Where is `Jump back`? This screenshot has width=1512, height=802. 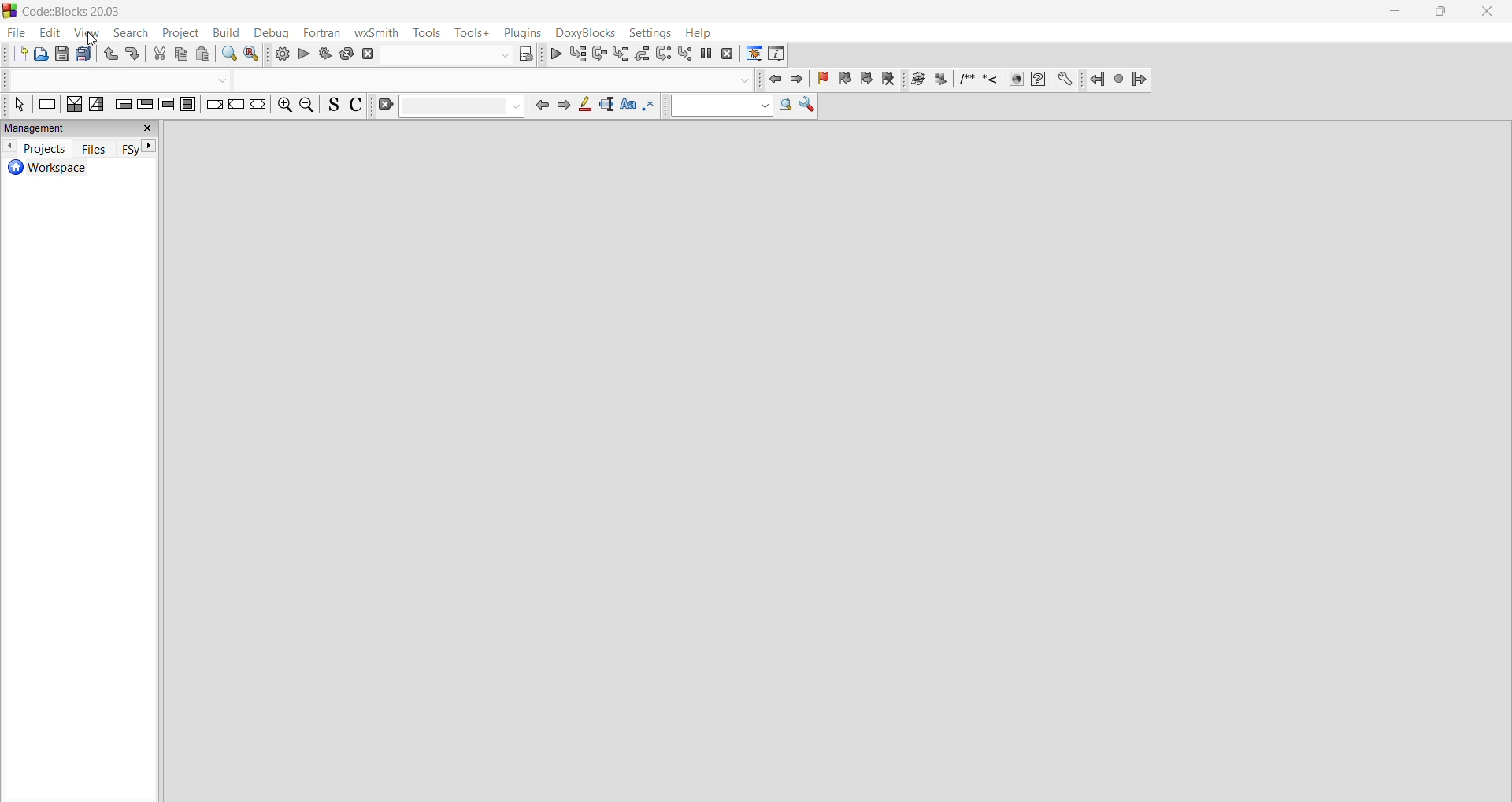
Jump back is located at coordinates (1095, 81).